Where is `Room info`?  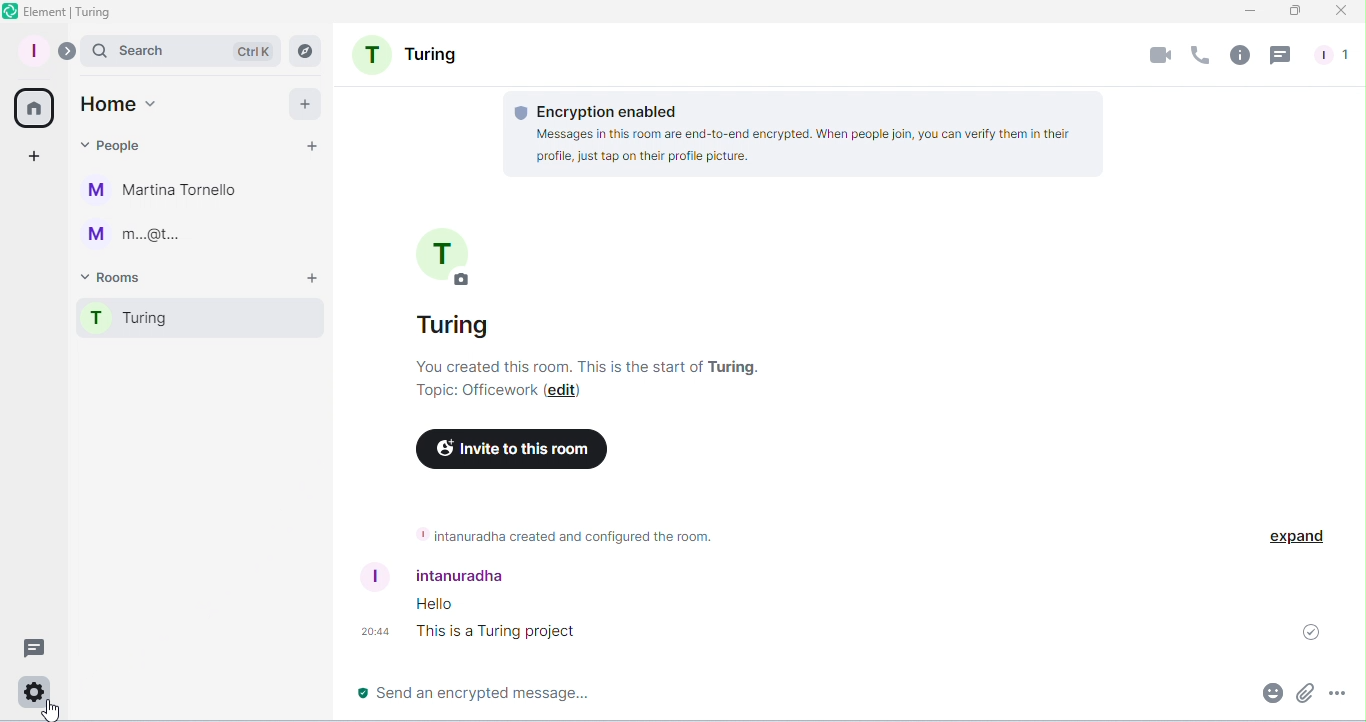
Room info is located at coordinates (1239, 58).